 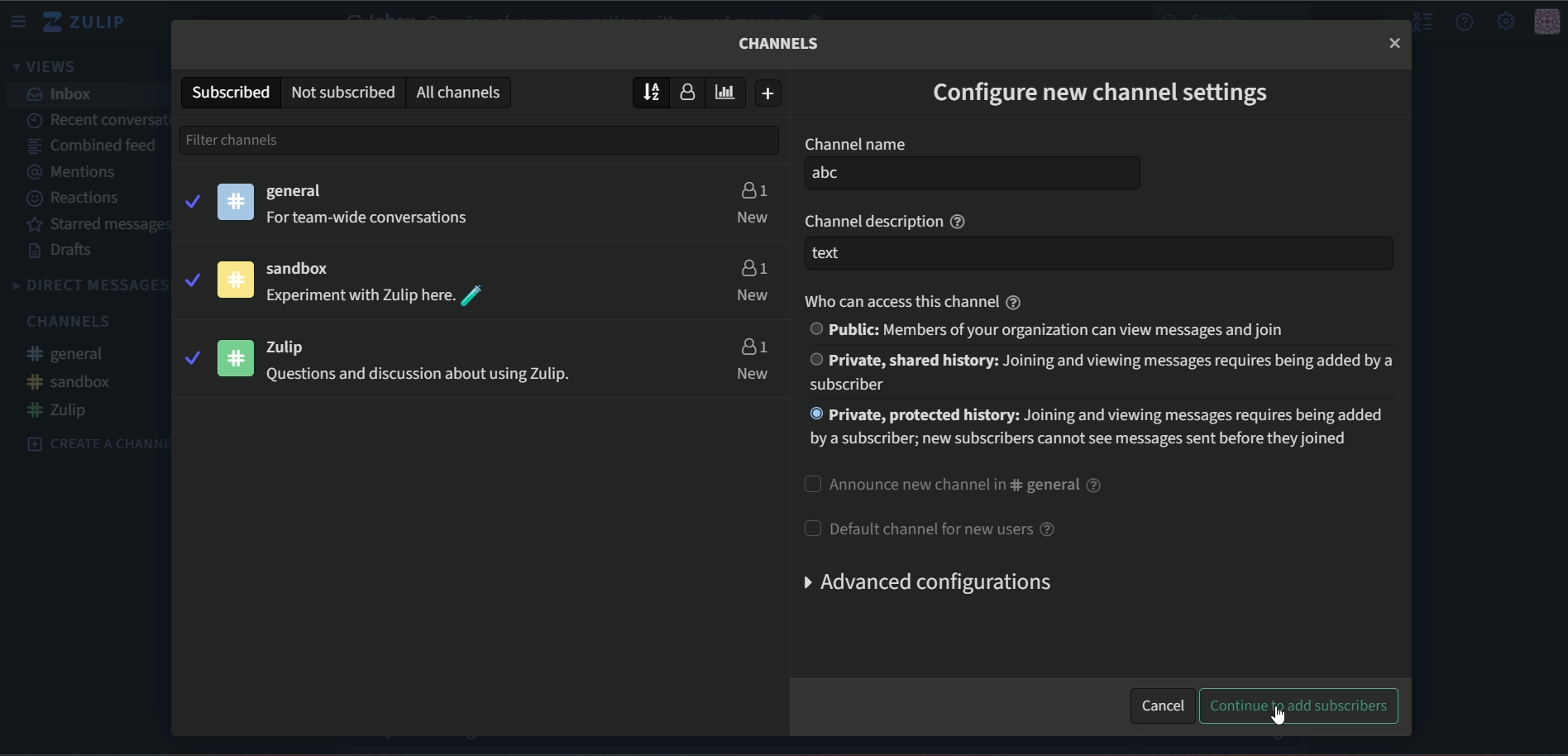 I want to click on main menu, so click(x=1504, y=21).